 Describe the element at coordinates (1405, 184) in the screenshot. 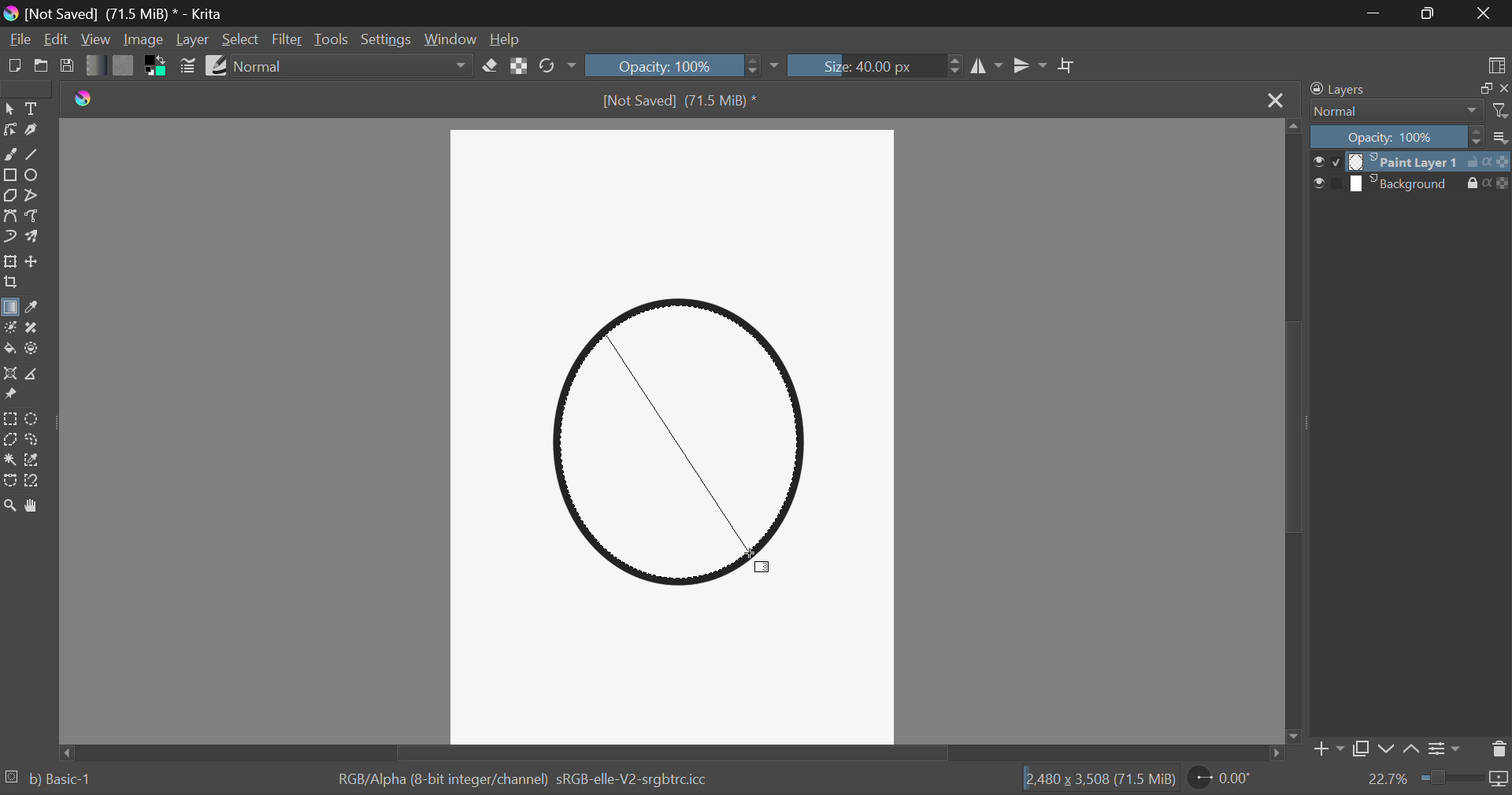

I see `layer 2` at that location.